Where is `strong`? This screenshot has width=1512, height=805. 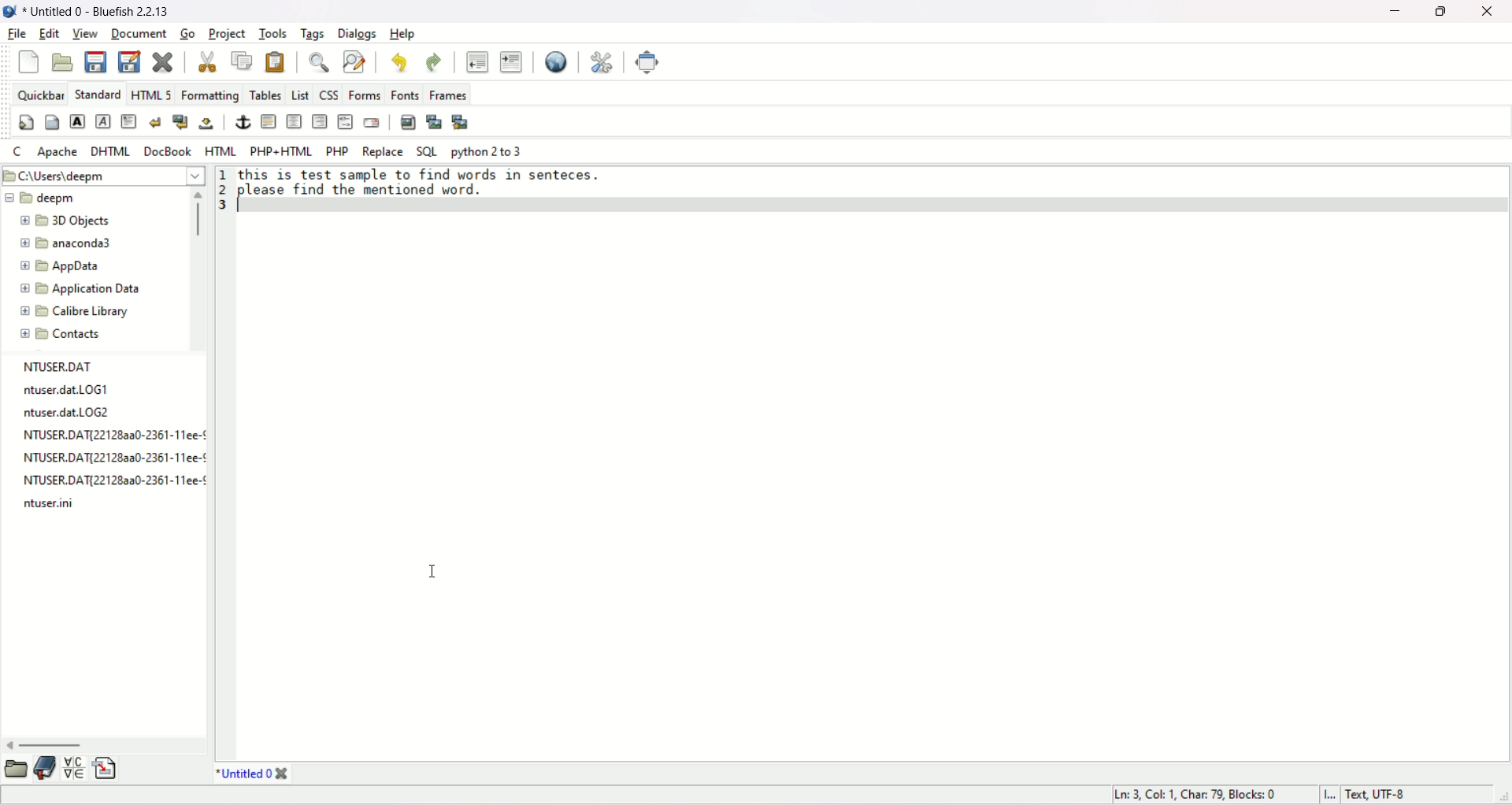 strong is located at coordinates (76, 122).